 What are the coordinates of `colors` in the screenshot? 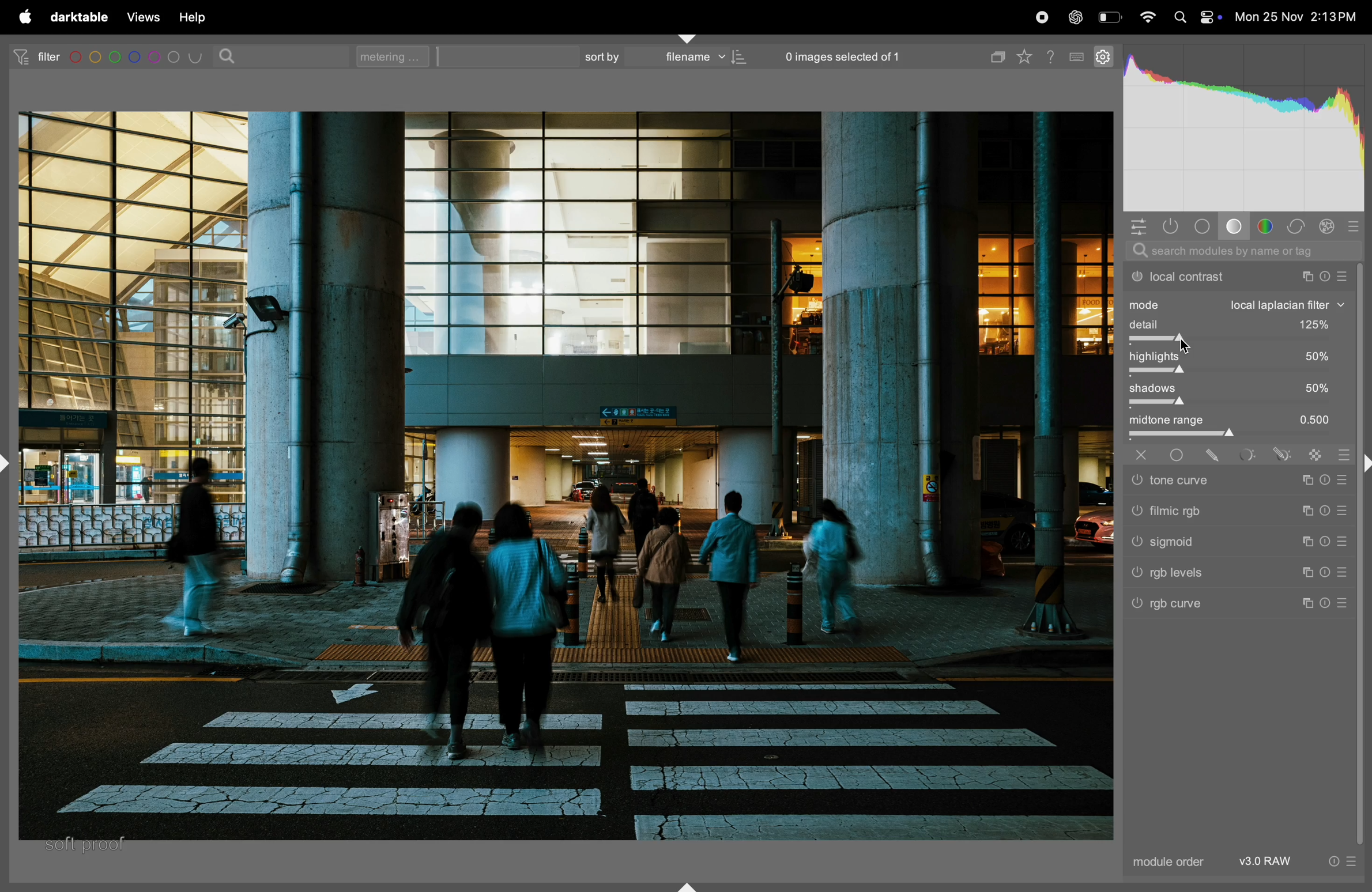 It's located at (1267, 225).